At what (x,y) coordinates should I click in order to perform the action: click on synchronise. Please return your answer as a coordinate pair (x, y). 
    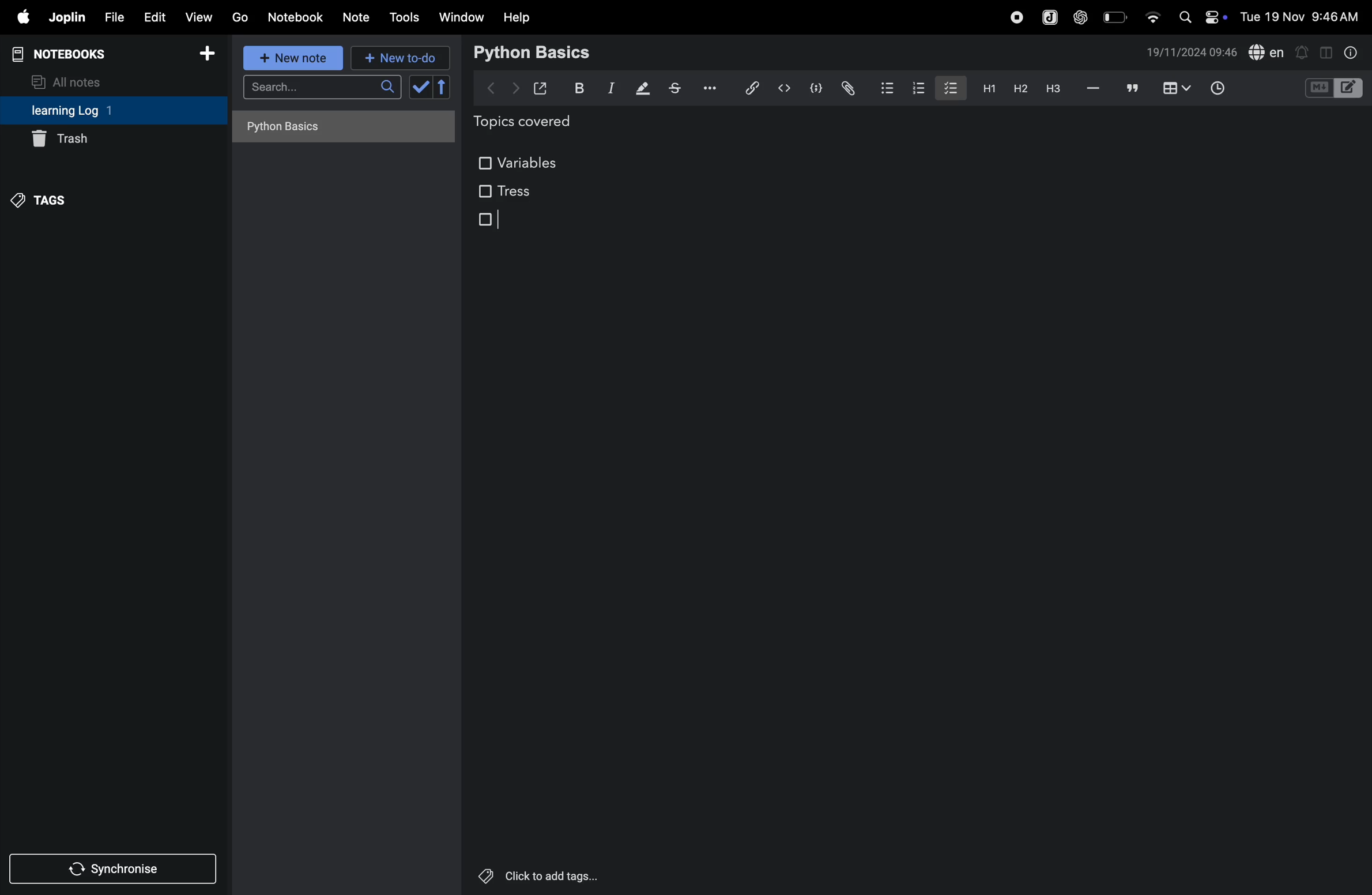
    Looking at the image, I should click on (115, 870).